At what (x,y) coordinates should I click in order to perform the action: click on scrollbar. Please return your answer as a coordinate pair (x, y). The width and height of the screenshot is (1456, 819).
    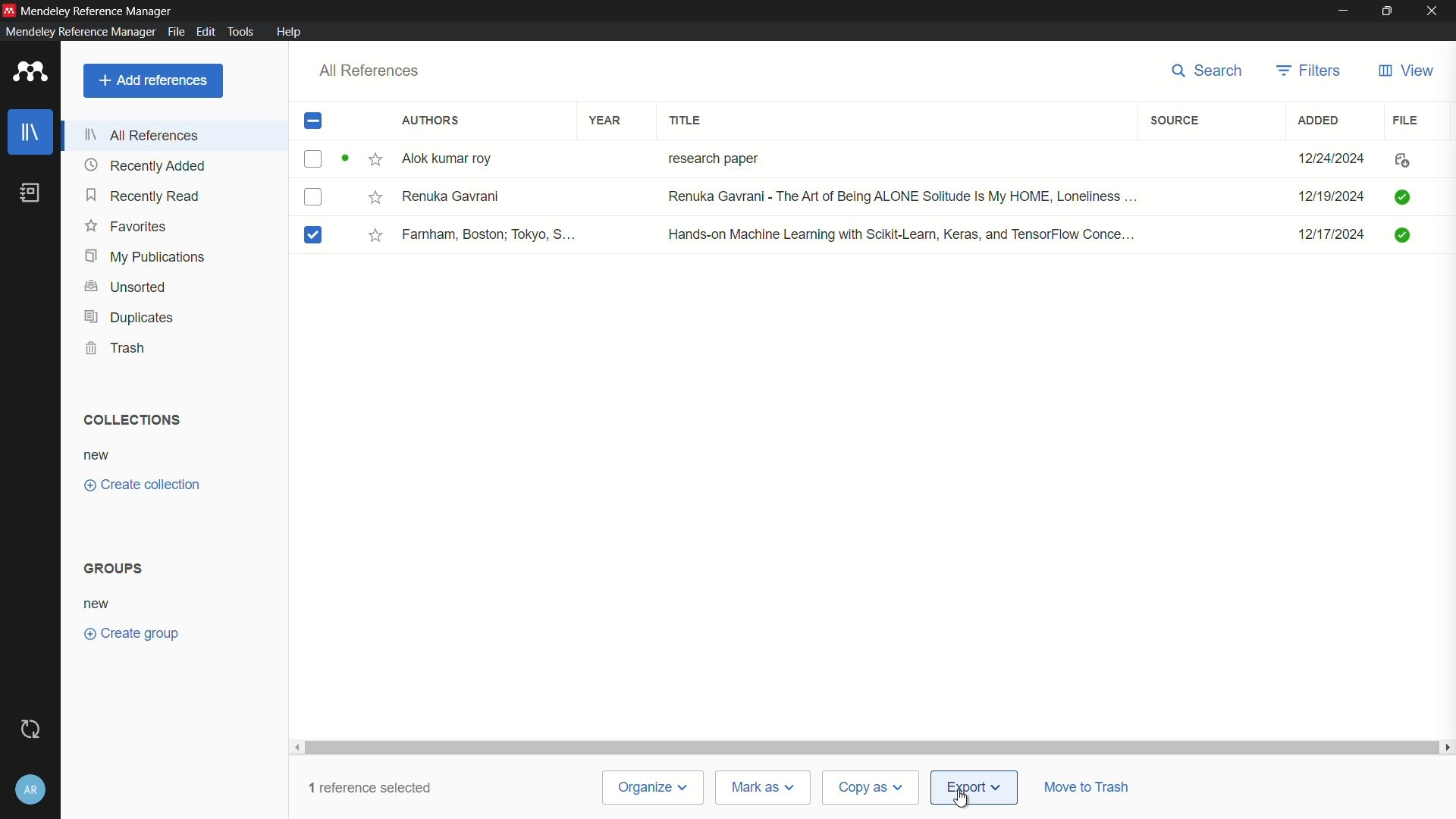
    Looking at the image, I should click on (873, 747).